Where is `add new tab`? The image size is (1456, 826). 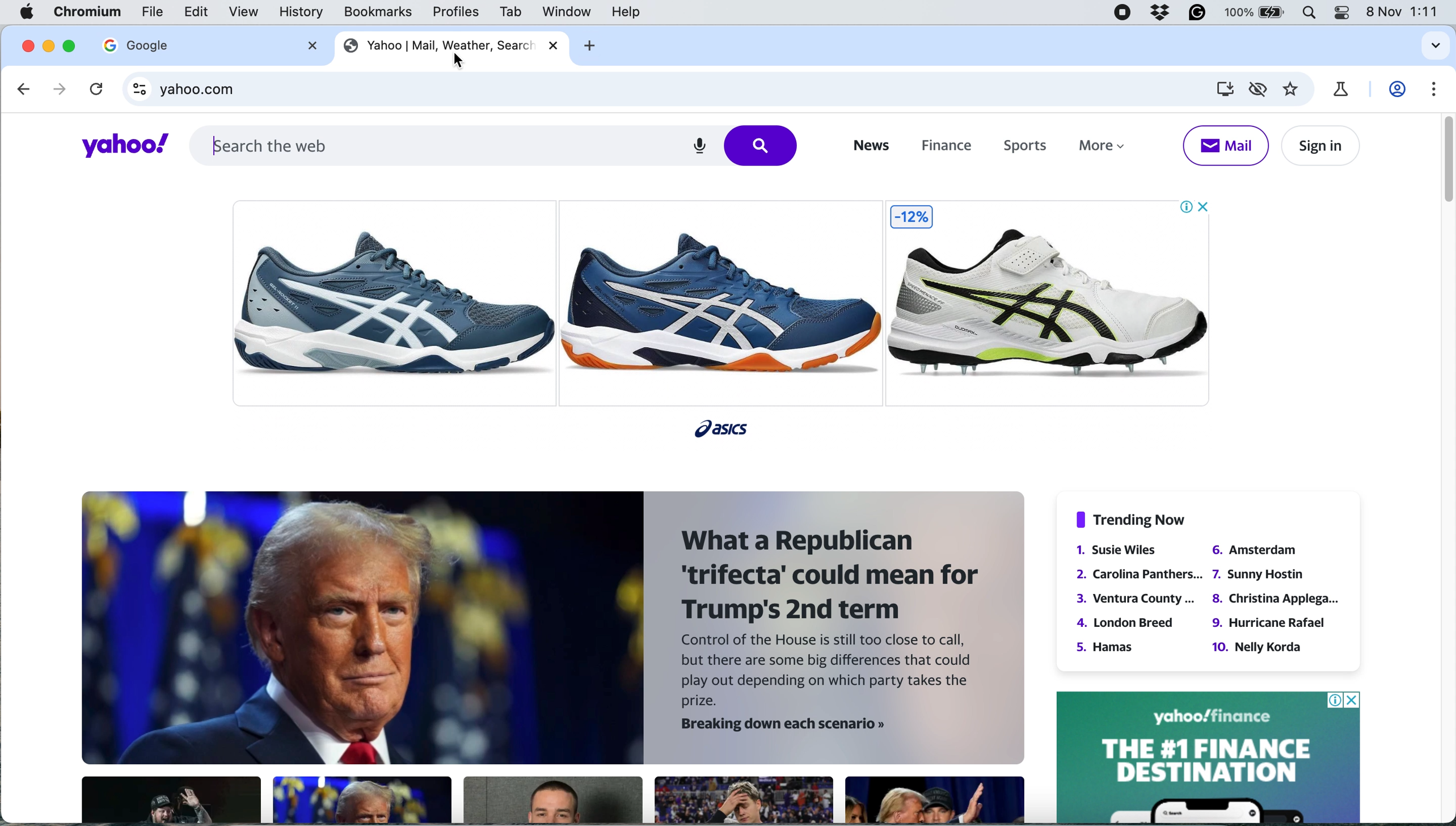
add new tab is located at coordinates (588, 45).